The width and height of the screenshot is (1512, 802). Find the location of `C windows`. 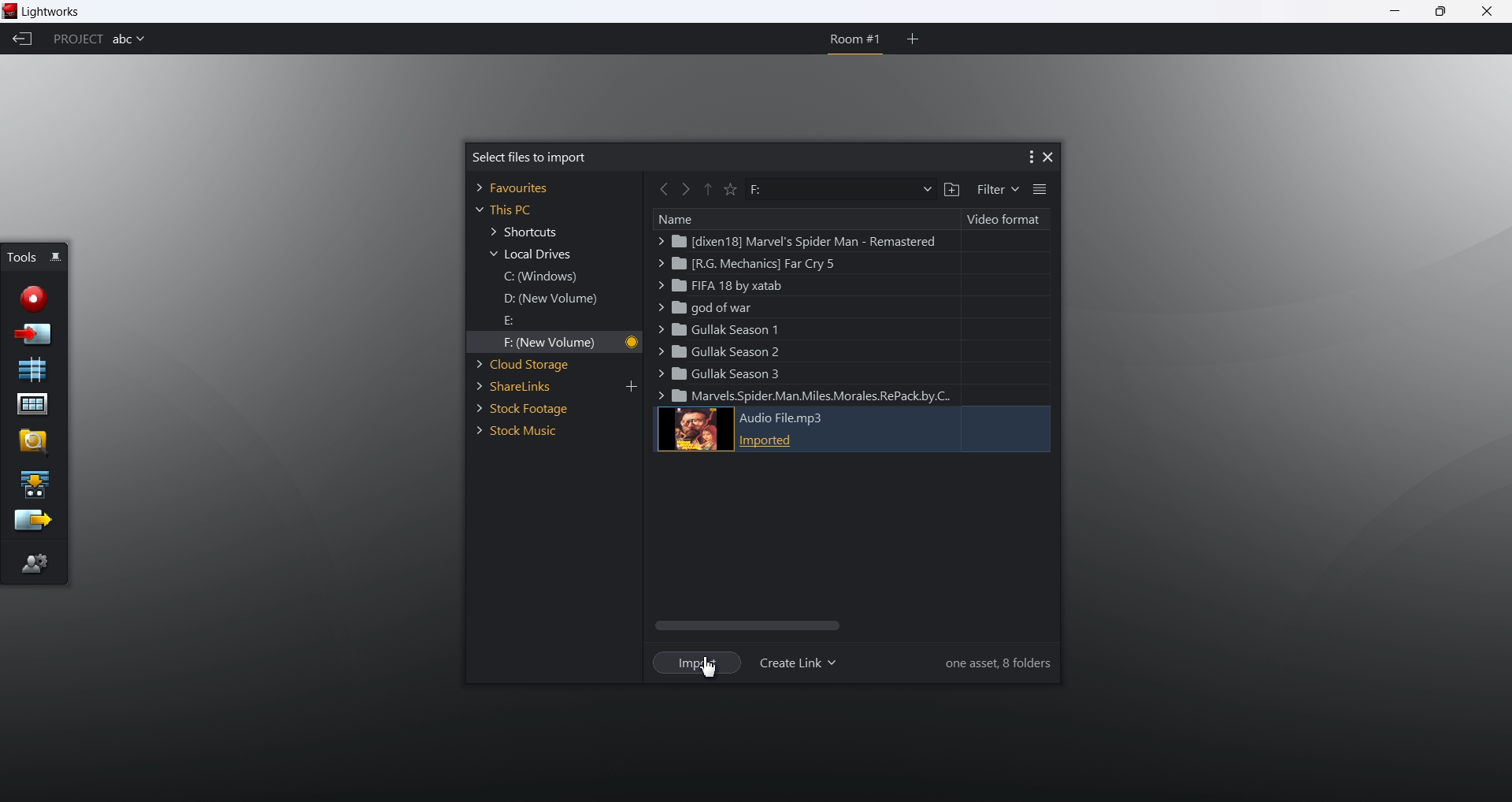

C windows is located at coordinates (540, 277).